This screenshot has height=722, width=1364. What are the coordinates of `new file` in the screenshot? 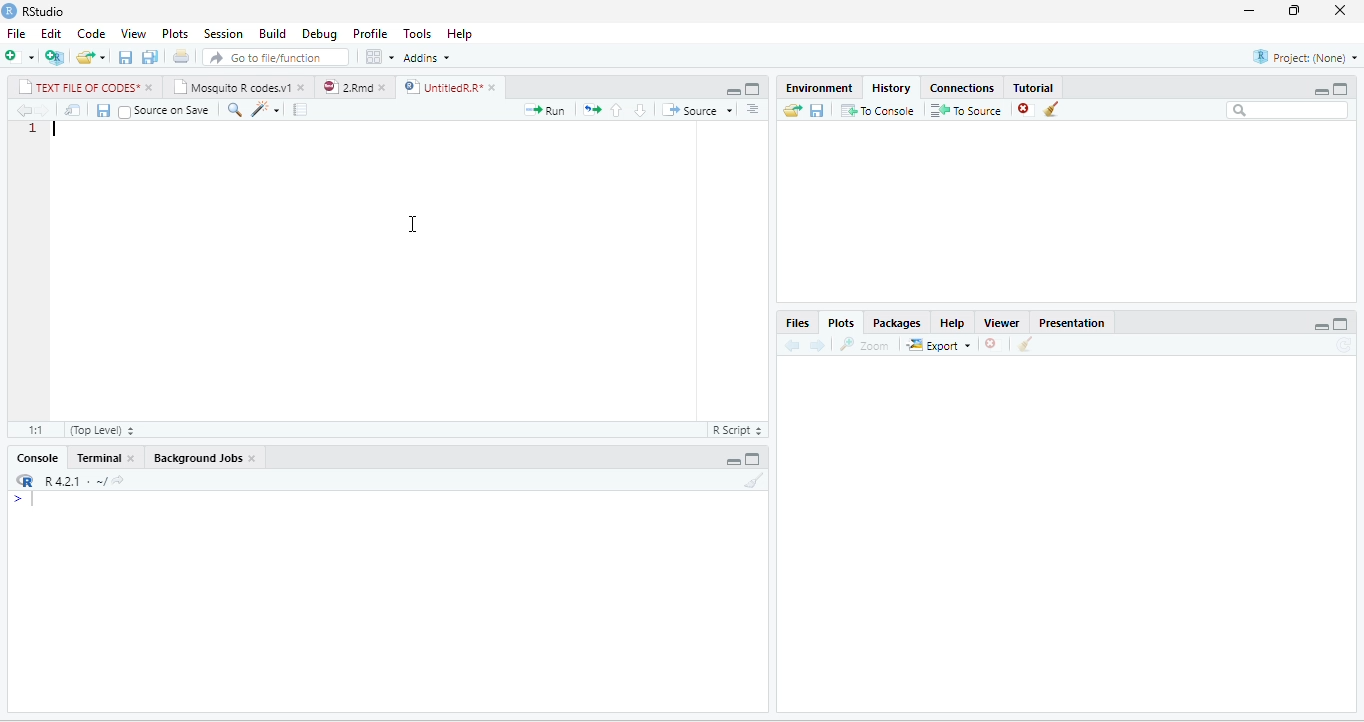 It's located at (20, 57).